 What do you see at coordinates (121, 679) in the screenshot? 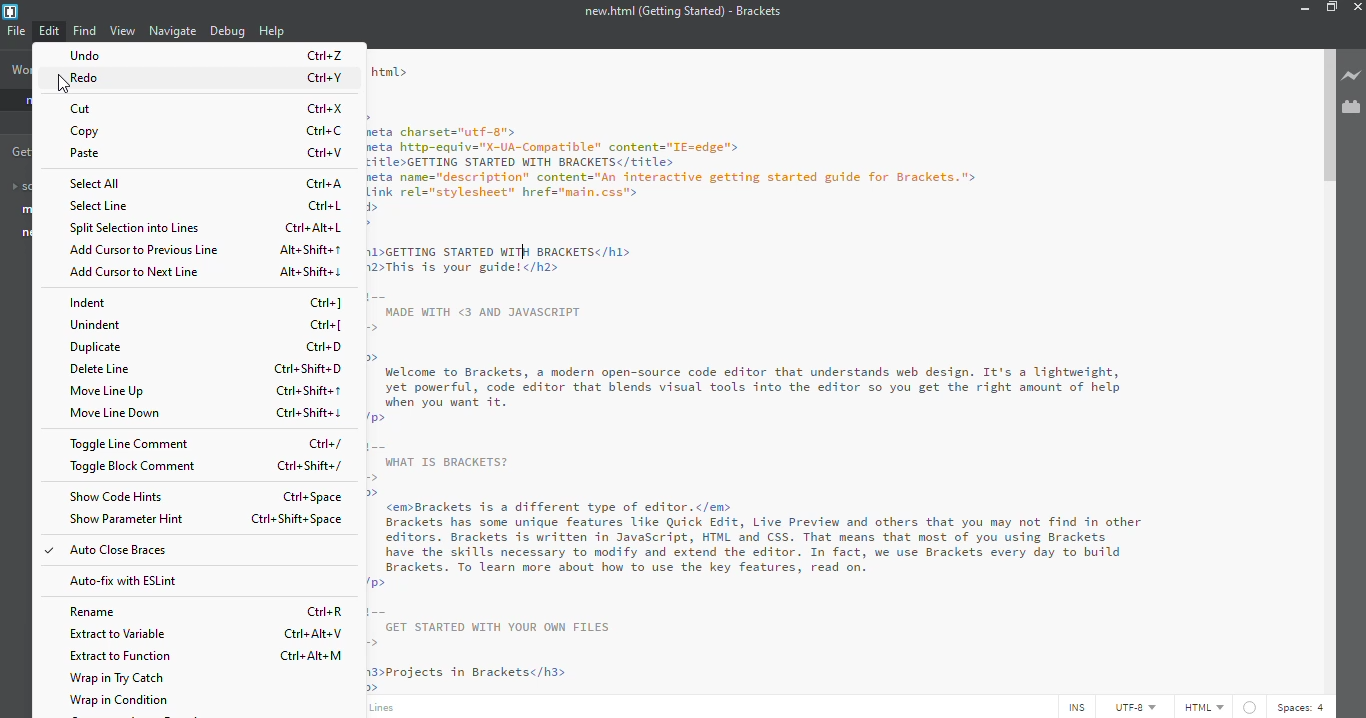
I see `wrap in try catch` at bounding box center [121, 679].